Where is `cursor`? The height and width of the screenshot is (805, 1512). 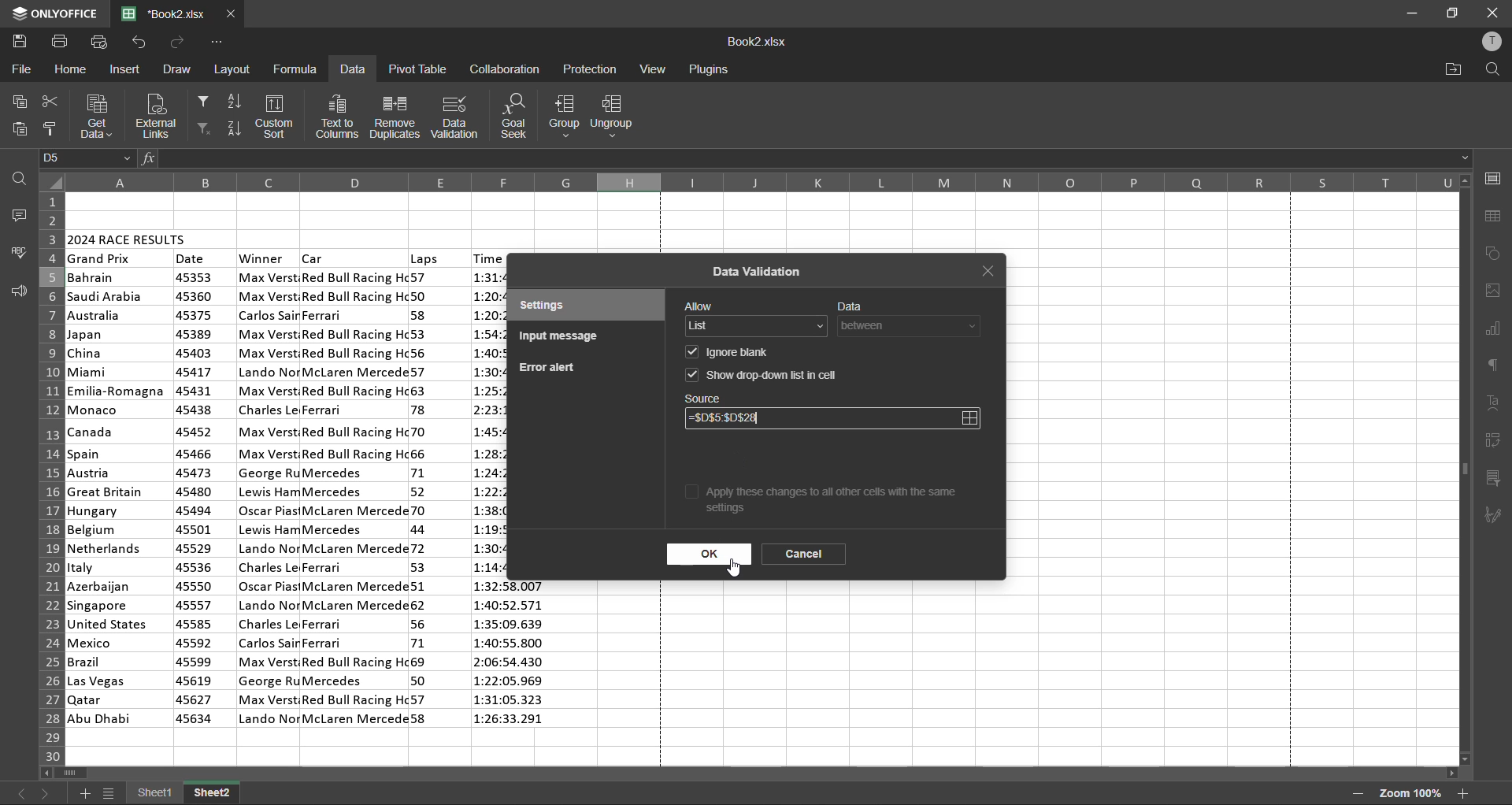
cursor is located at coordinates (732, 573).